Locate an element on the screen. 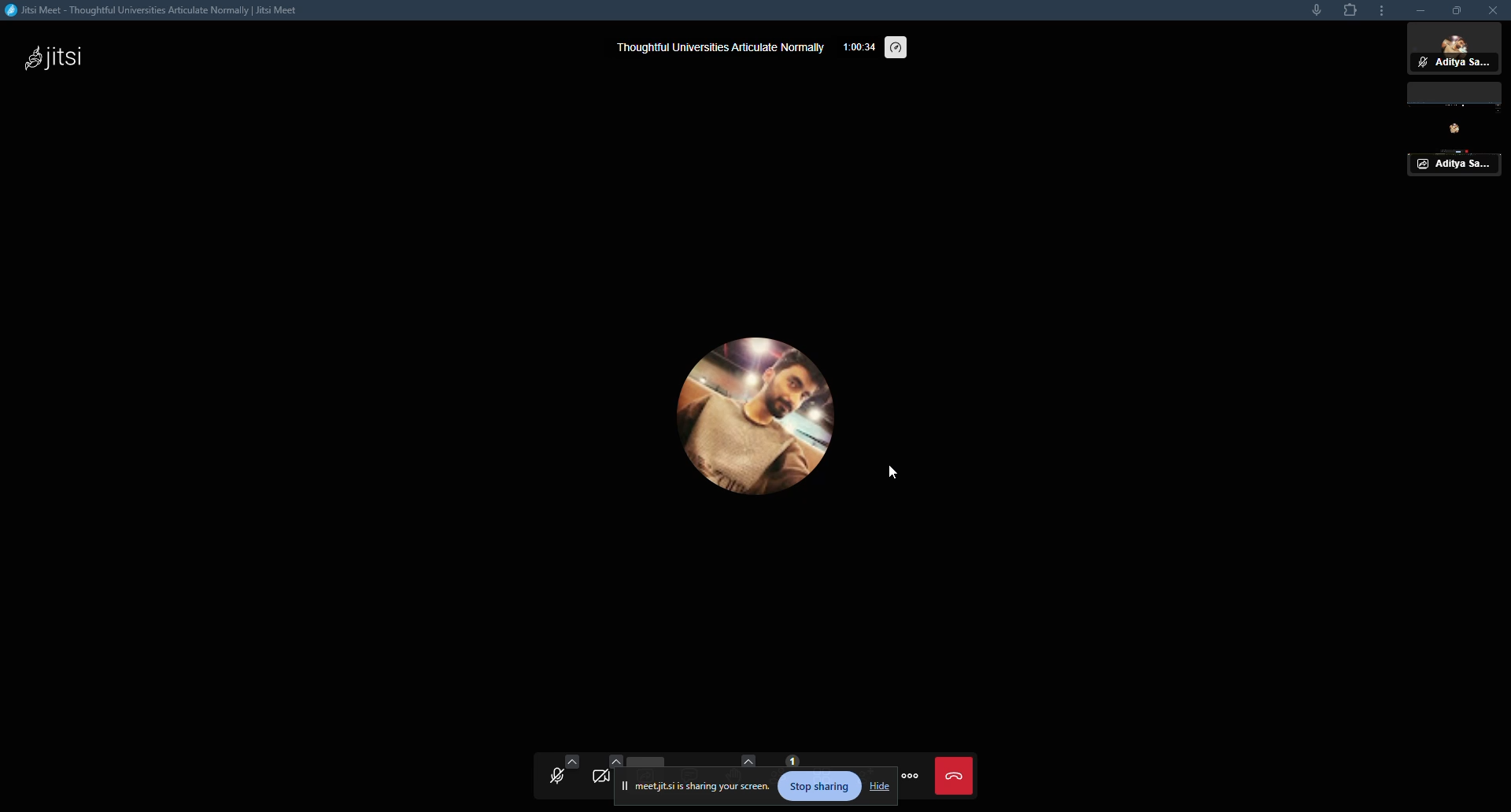 The image size is (1511, 812). extensions is located at coordinates (1351, 13).